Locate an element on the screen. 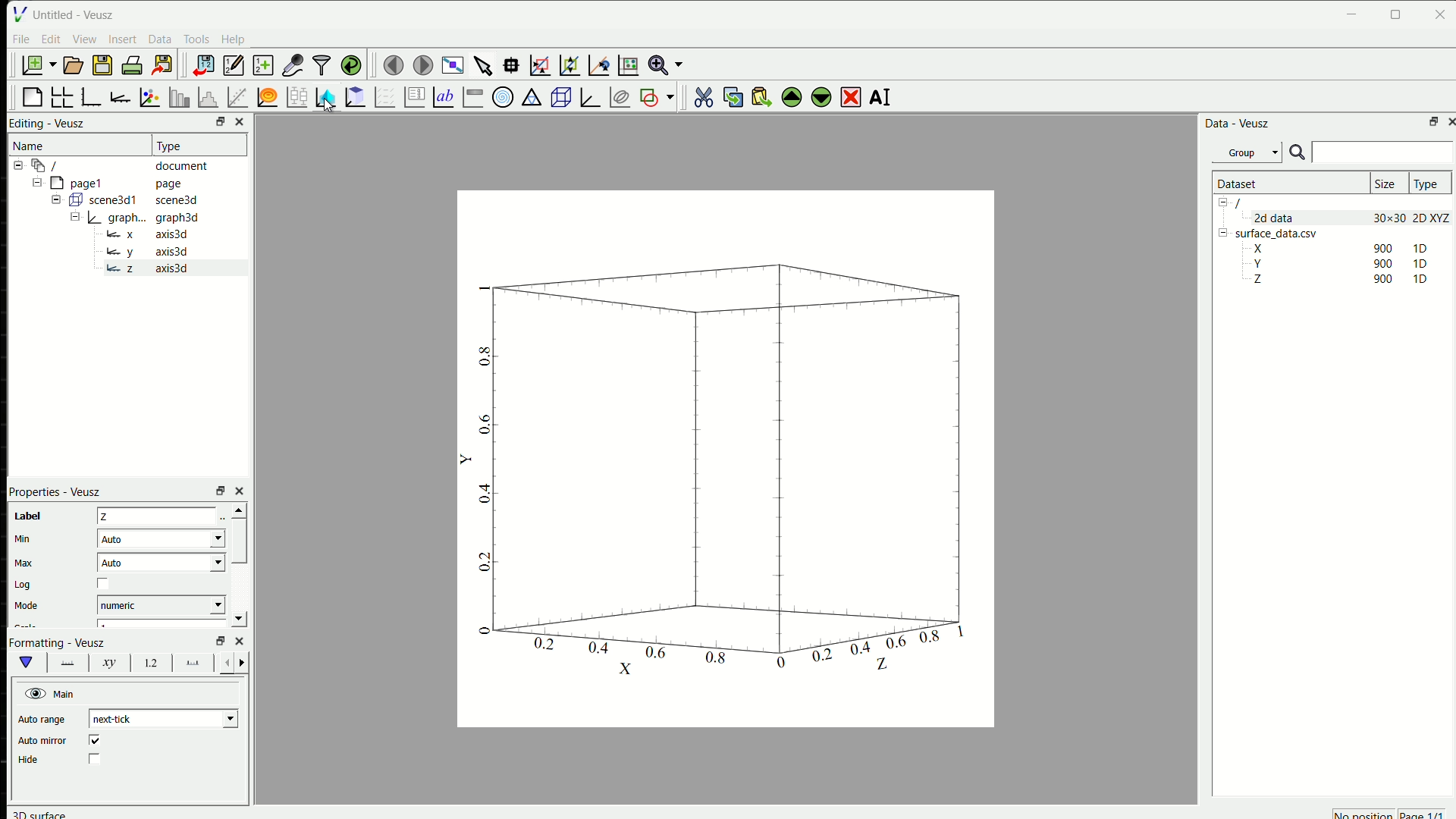 This screenshot has width=1456, height=819. cursor is located at coordinates (329, 106).